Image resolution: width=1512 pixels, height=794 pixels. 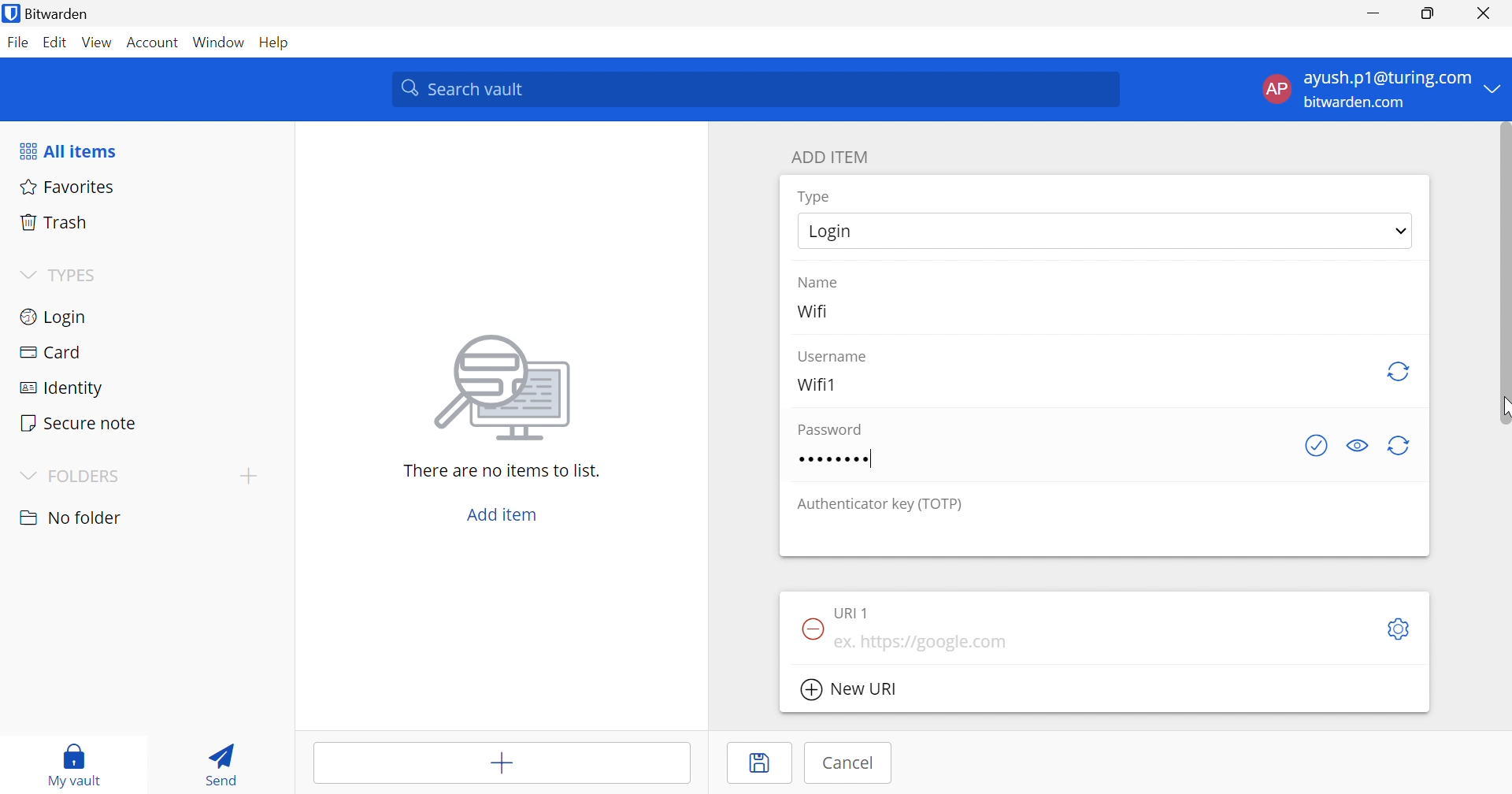 What do you see at coordinates (64, 389) in the screenshot?
I see `Identity` at bounding box center [64, 389].